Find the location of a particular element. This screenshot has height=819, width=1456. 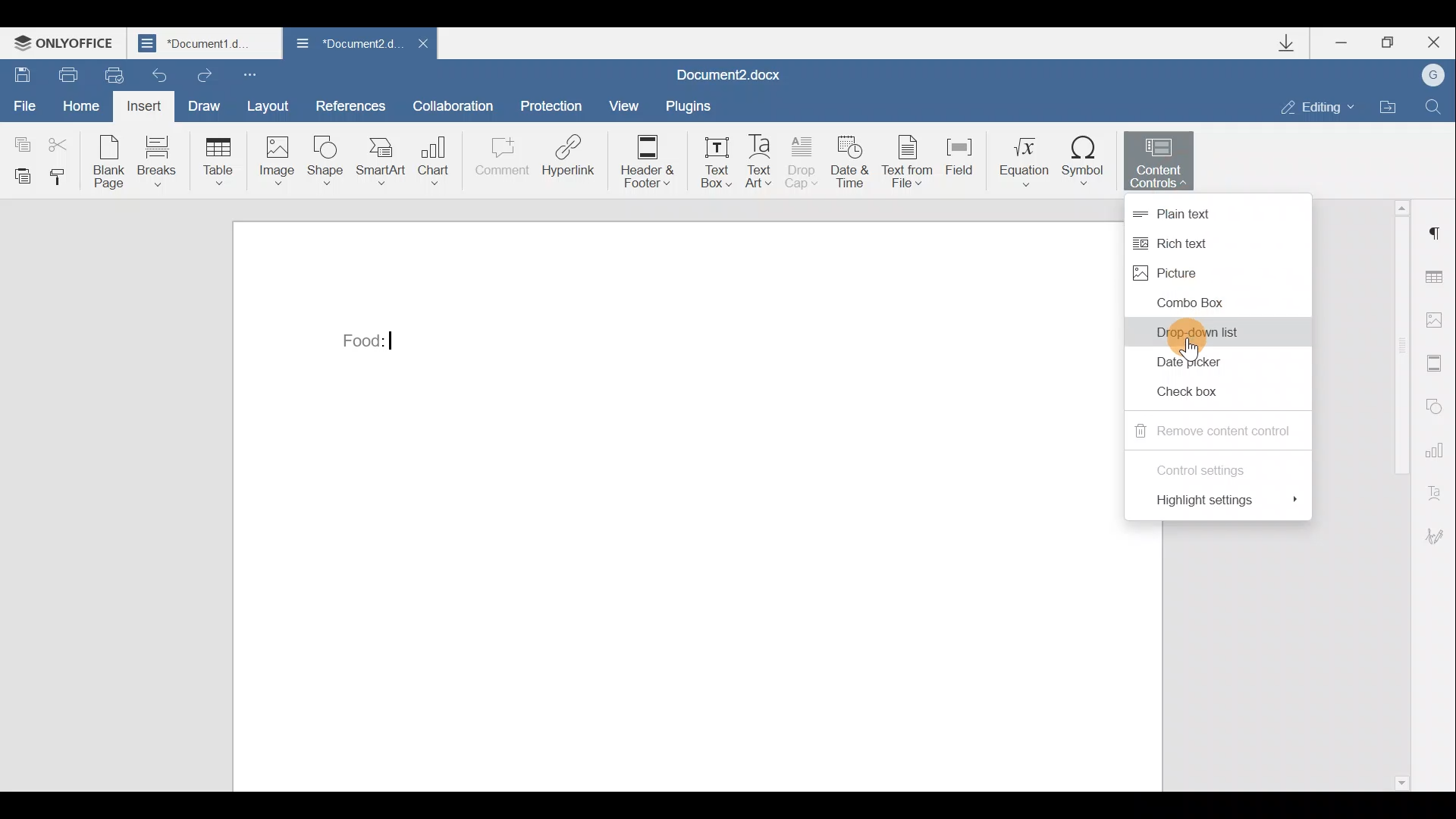

Shapes settings is located at coordinates (1435, 404).